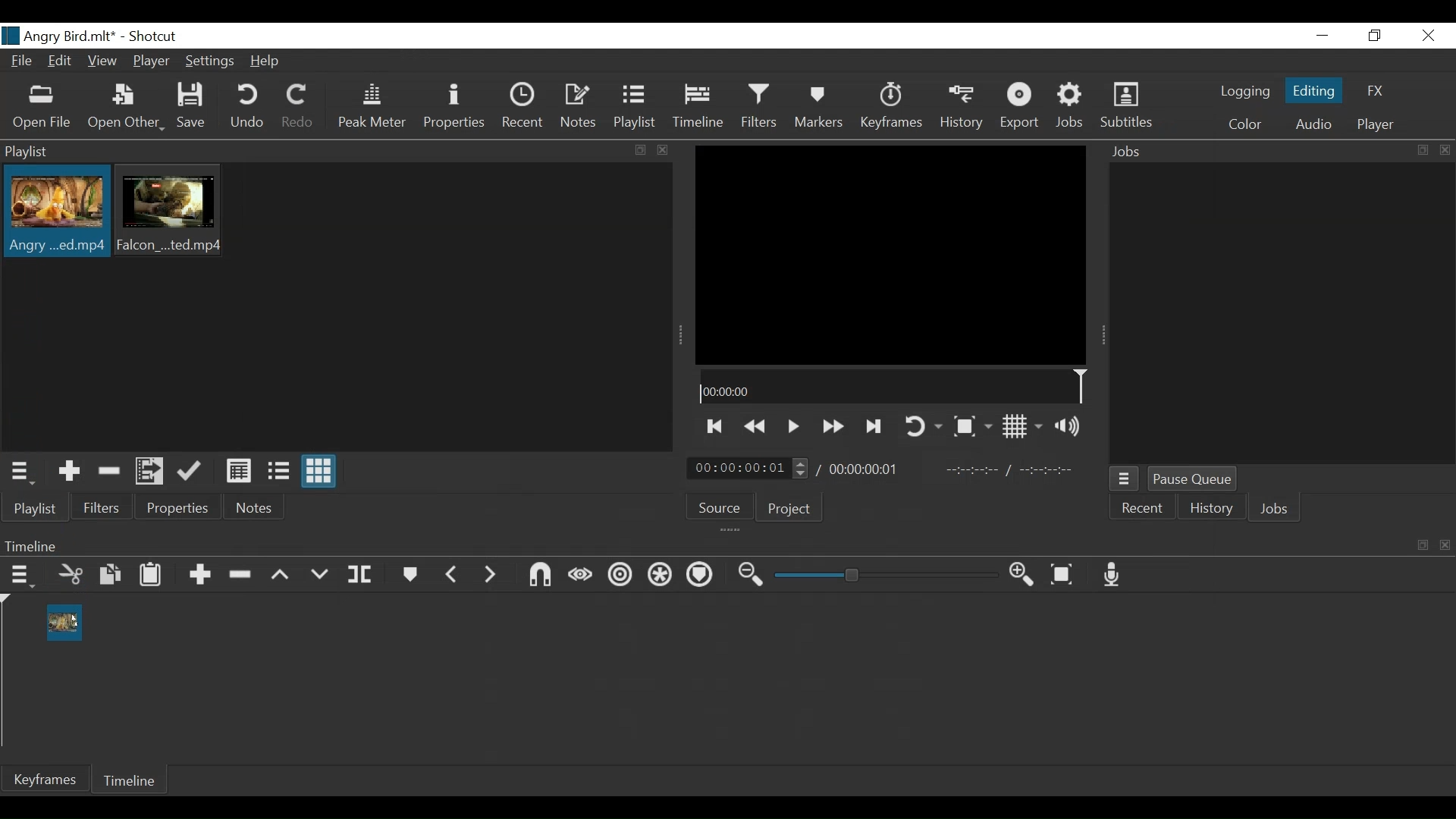 The width and height of the screenshot is (1456, 819). What do you see at coordinates (1282, 315) in the screenshot?
I see `Jobs Panel` at bounding box center [1282, 315].